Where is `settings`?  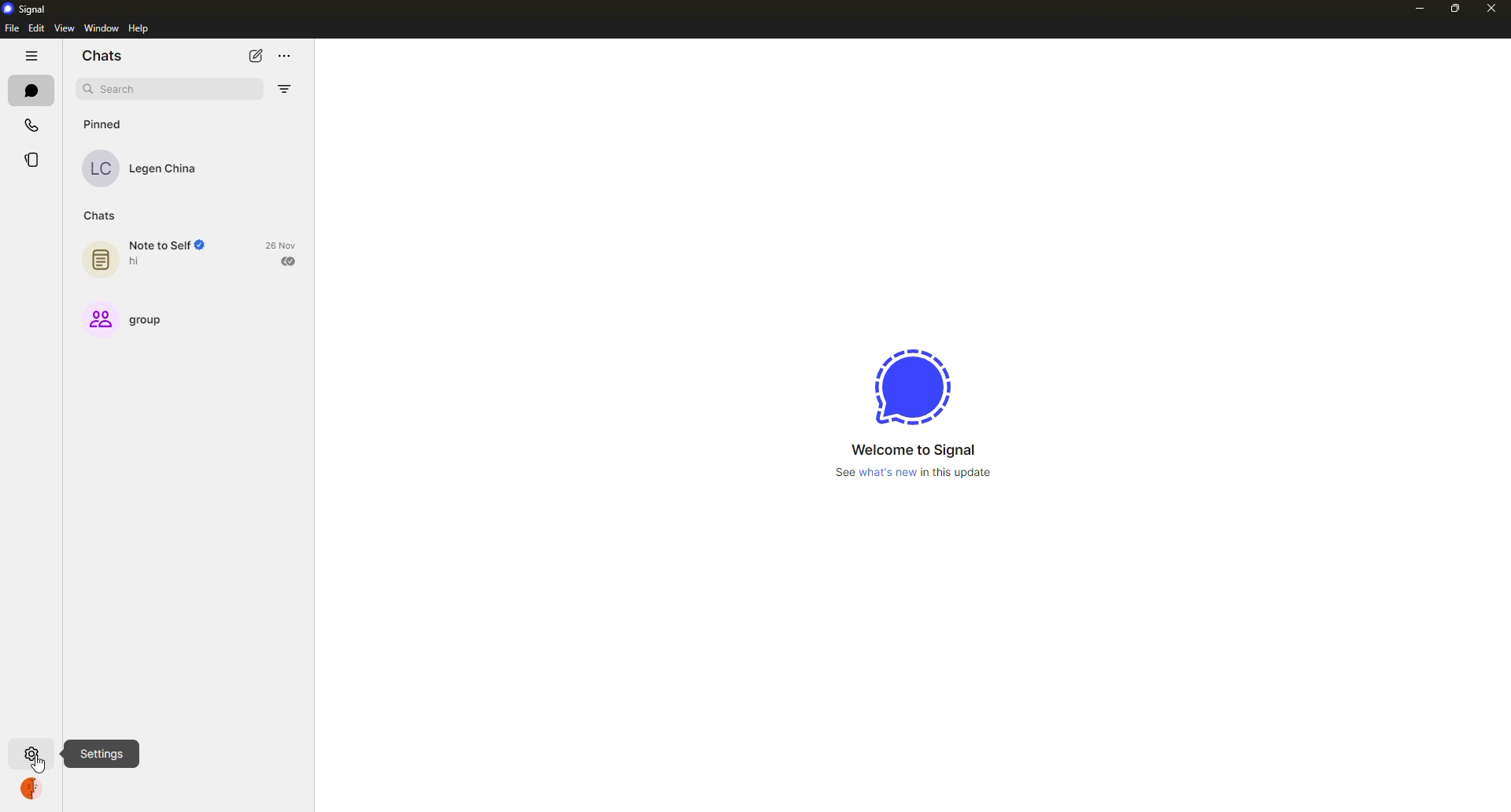
settings is located at coordinates (29, 752).